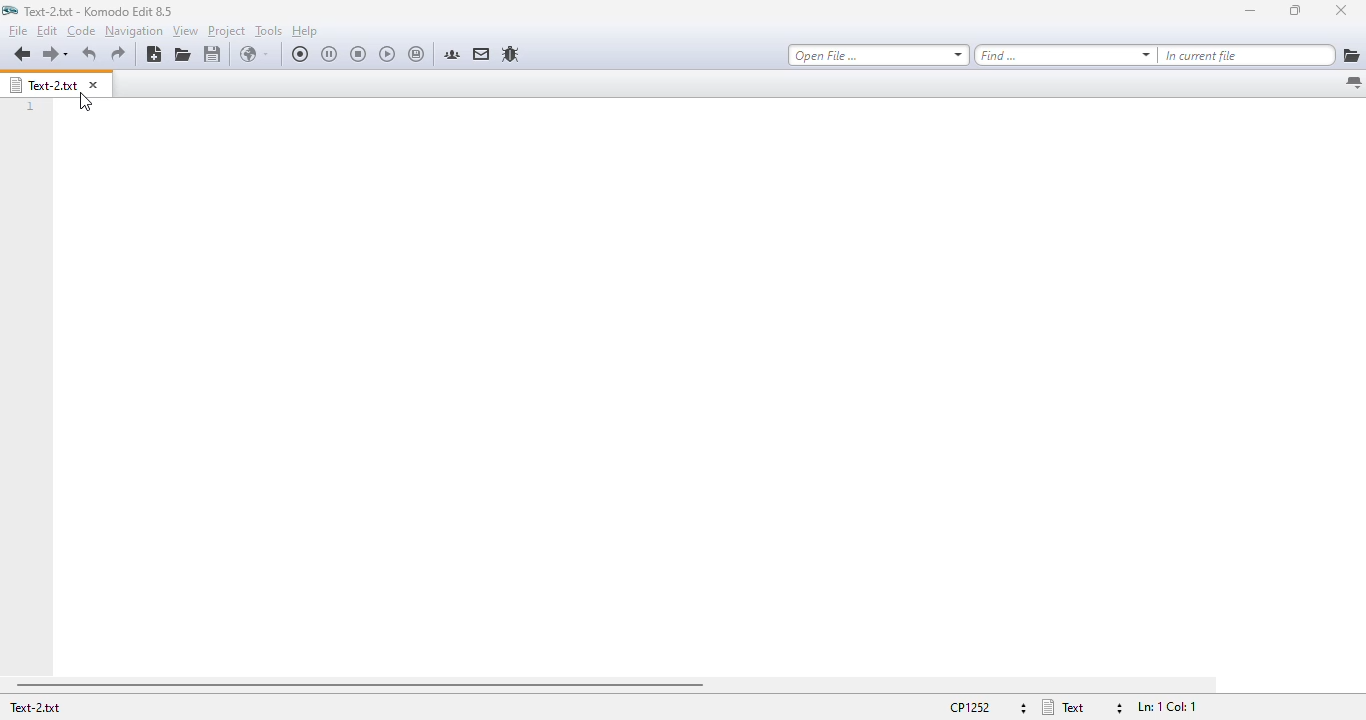 The width and height of the screenshot is (1366, 720). What do you see at coordinates (388, 55) in the screenshot?
I see `play last macro` at bounding box center [388, 55].